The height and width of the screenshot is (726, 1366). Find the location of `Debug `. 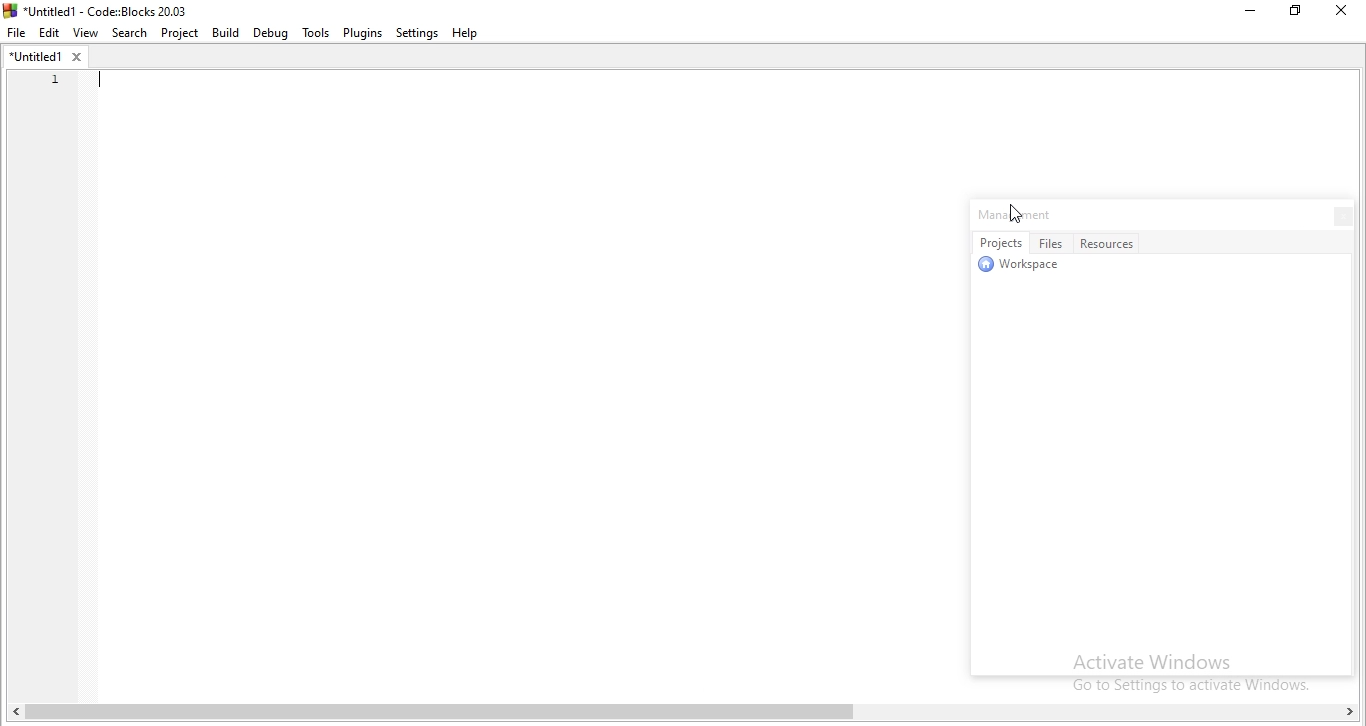

Debug  is located at coordinates (269, 33).